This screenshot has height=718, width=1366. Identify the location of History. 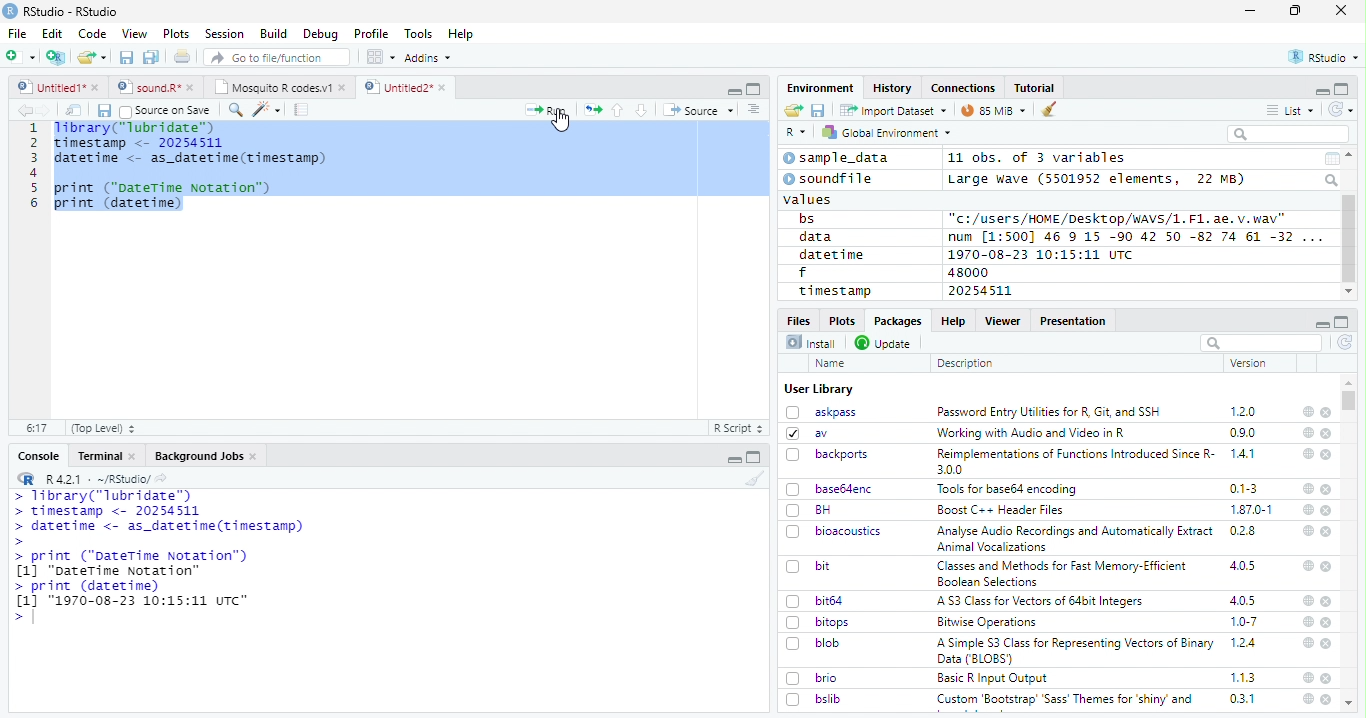
(893, 88).